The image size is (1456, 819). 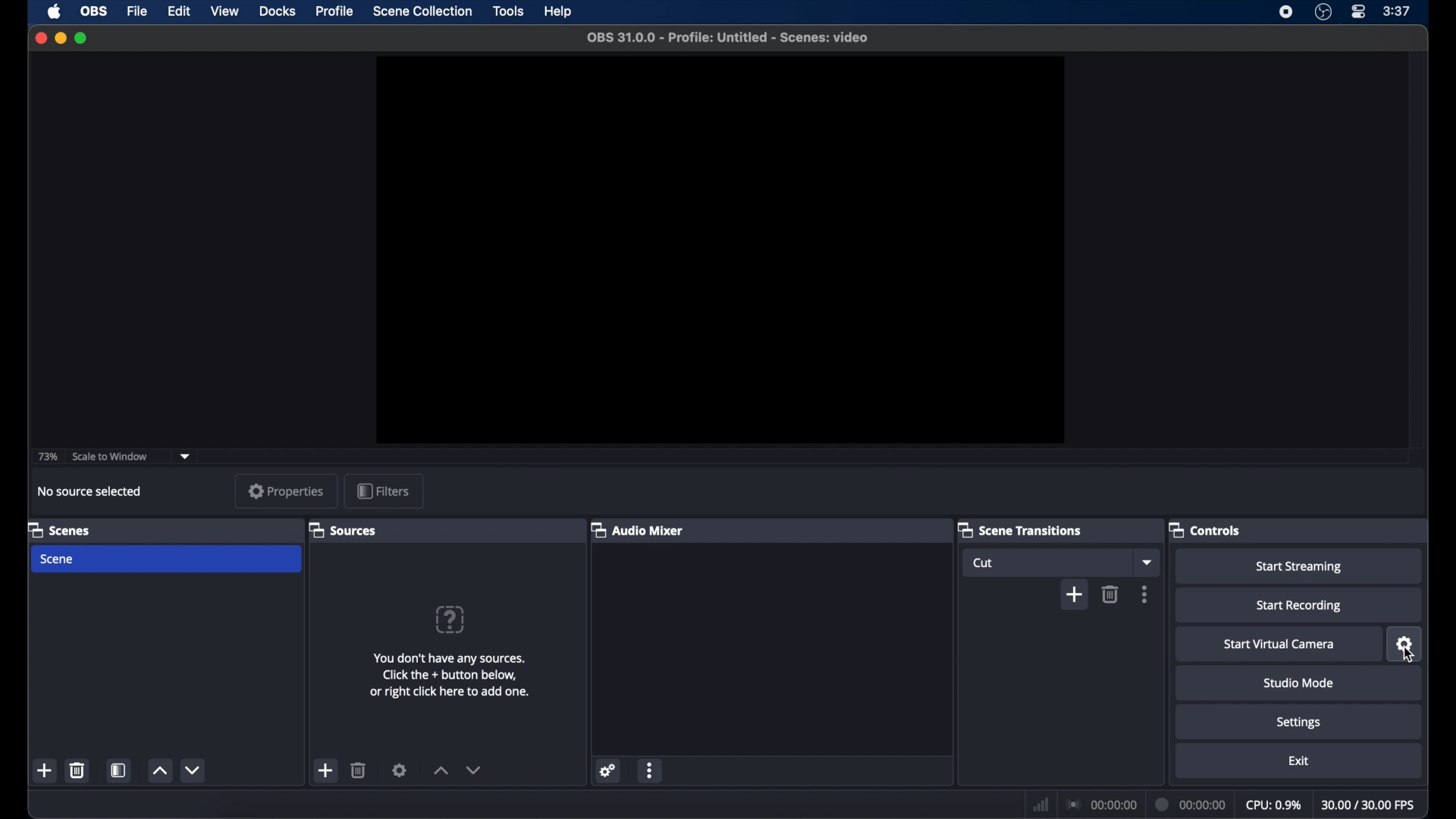 I want to click on docks, so click(x=278, y=11).